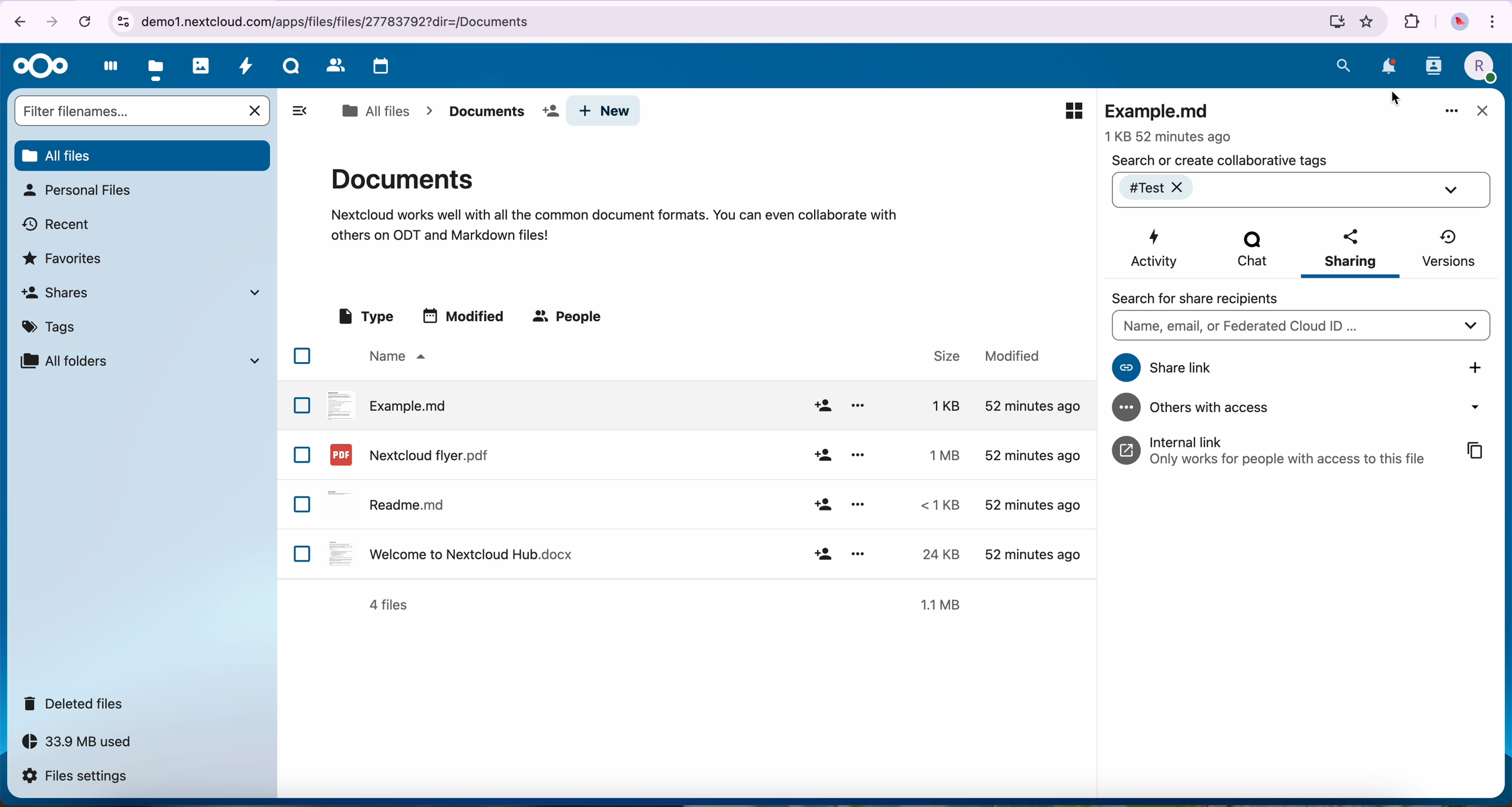  What do you see at coordinates (940, 356) in the screenshot?
I see `size` at bounding box center [940, 356].